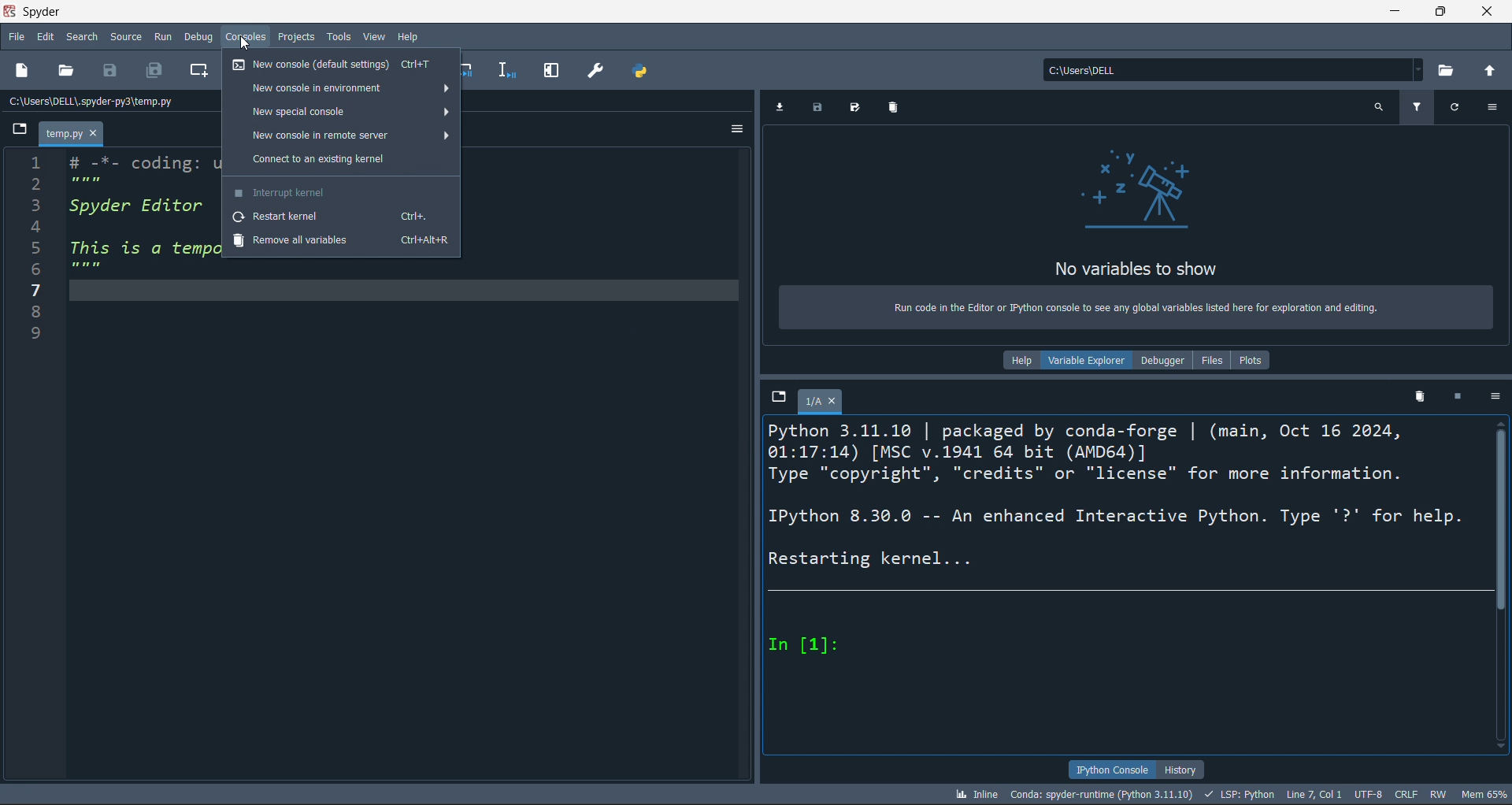 This screenshot has width=1512, height=805. I want to click on maximize, so click(1438, 12).